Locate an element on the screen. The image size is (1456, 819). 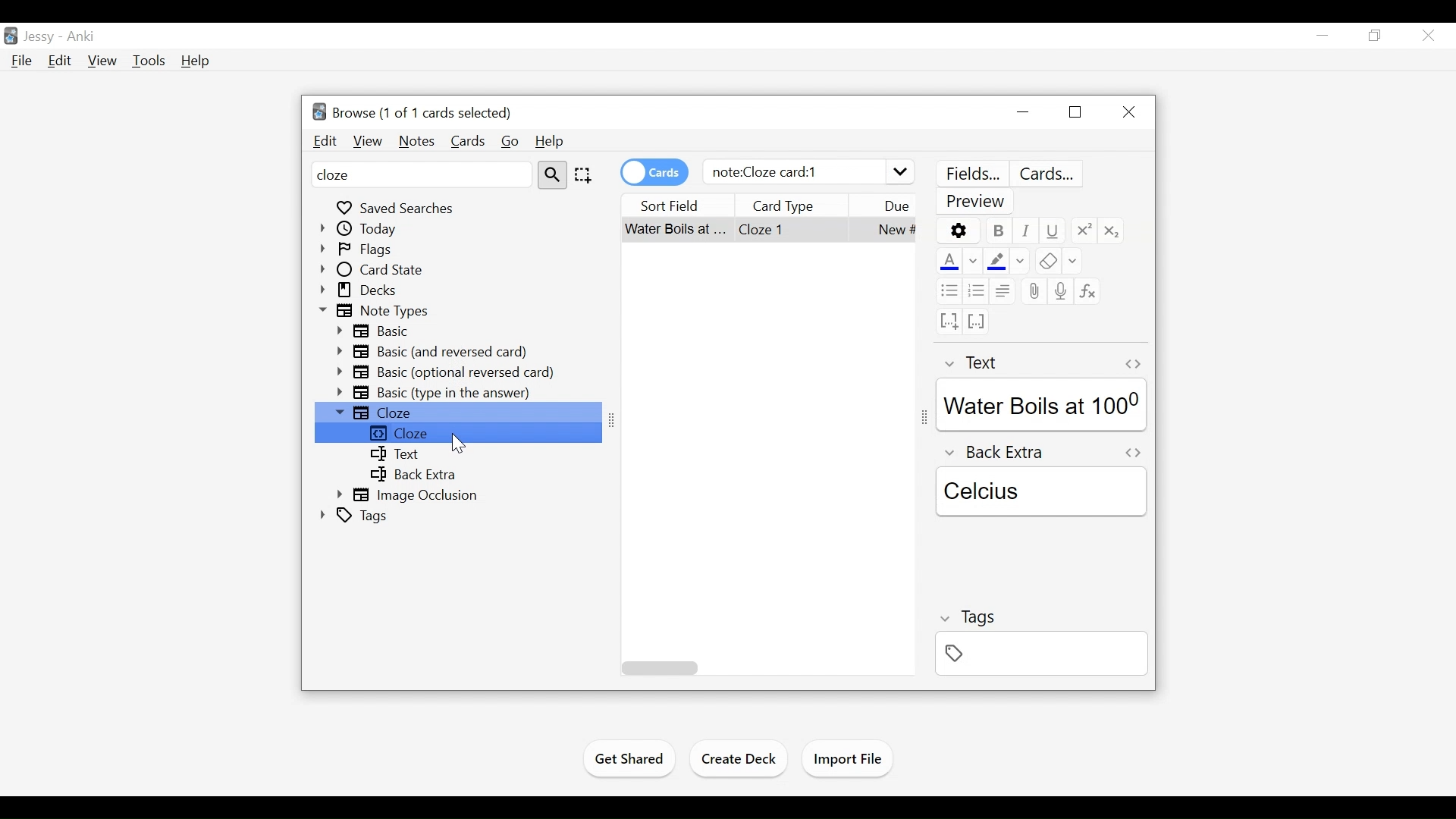
Basic (and Reversed card) is located at coordinates (438, 352).